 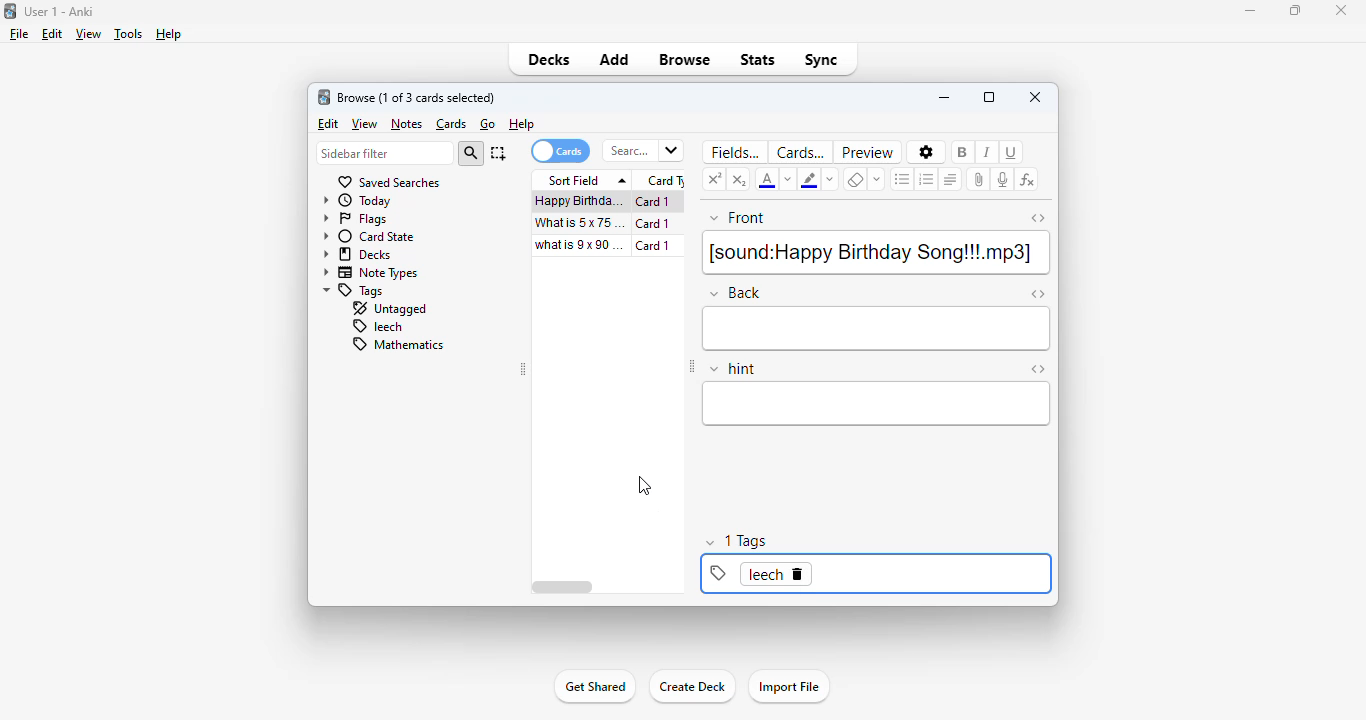 I want to click on happy birthday song!!!, so click(x=579, y=201).